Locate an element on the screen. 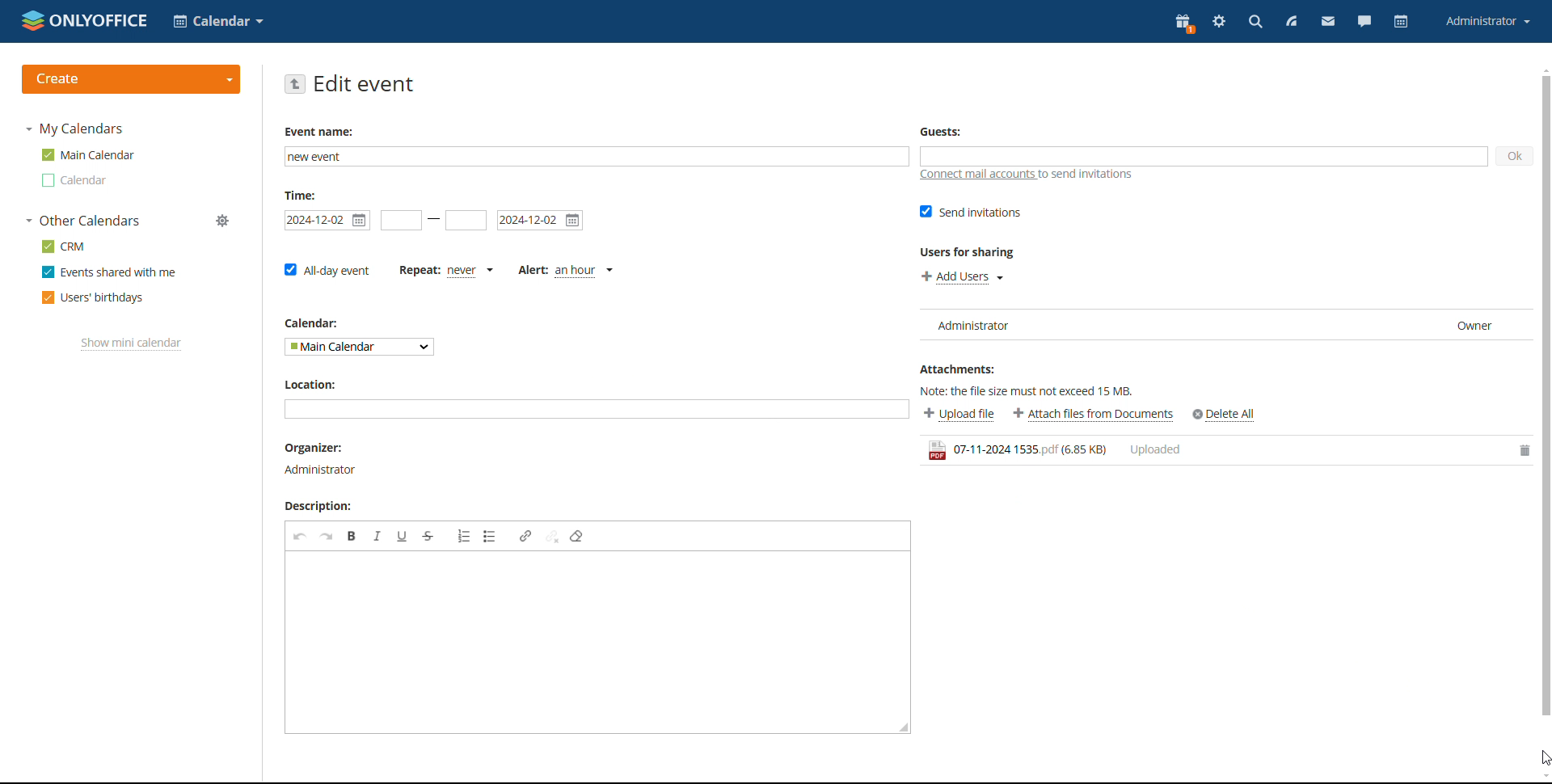 This screenshot has width=1552, height=784. description is located at coordinates (324, 506).